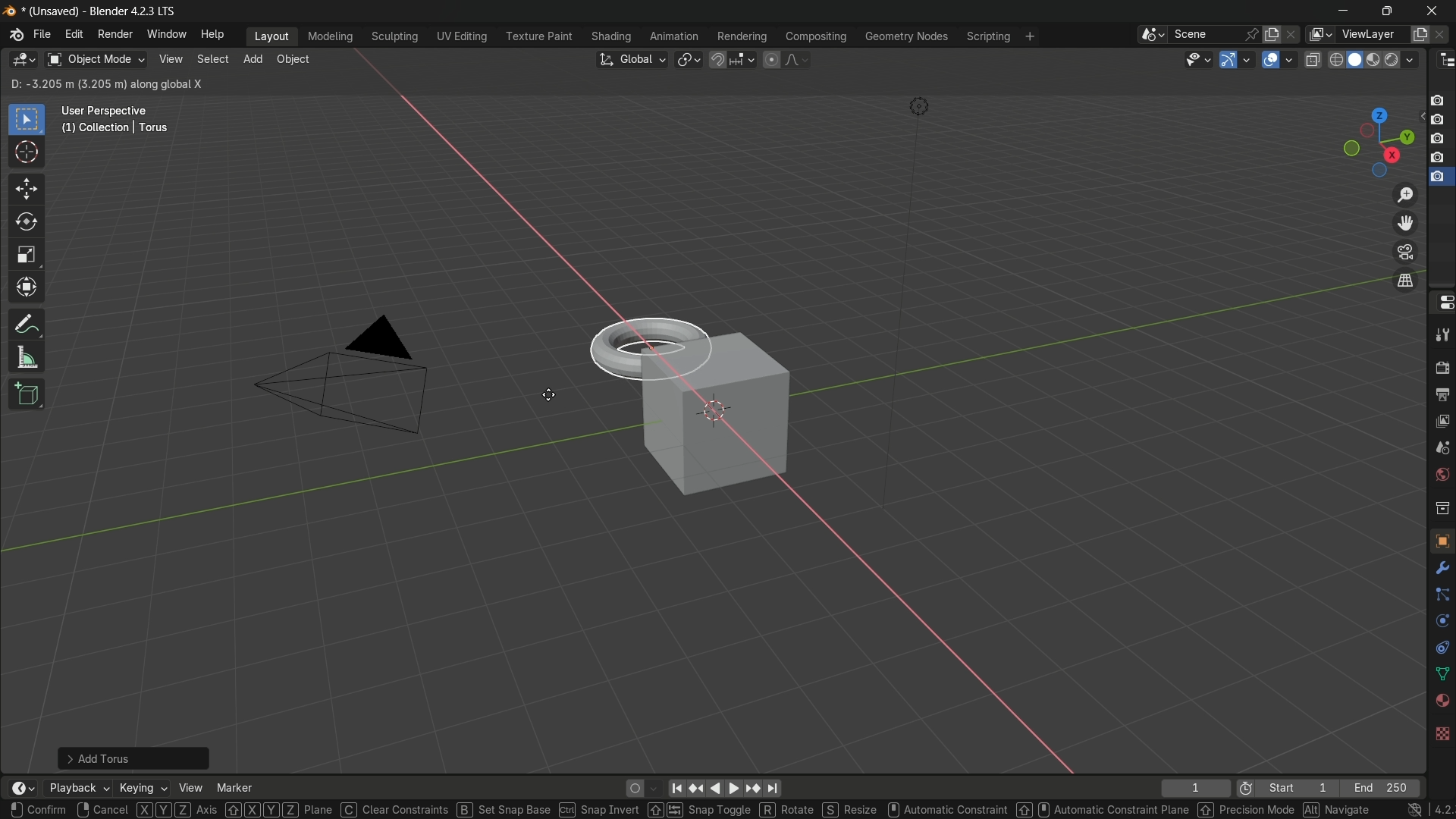 Image resolution: width=1456 pixels, height=819 pixels. Describe the element at coordinates (1388, 11) in the screenshot. I see `maximize or restore` at that location.